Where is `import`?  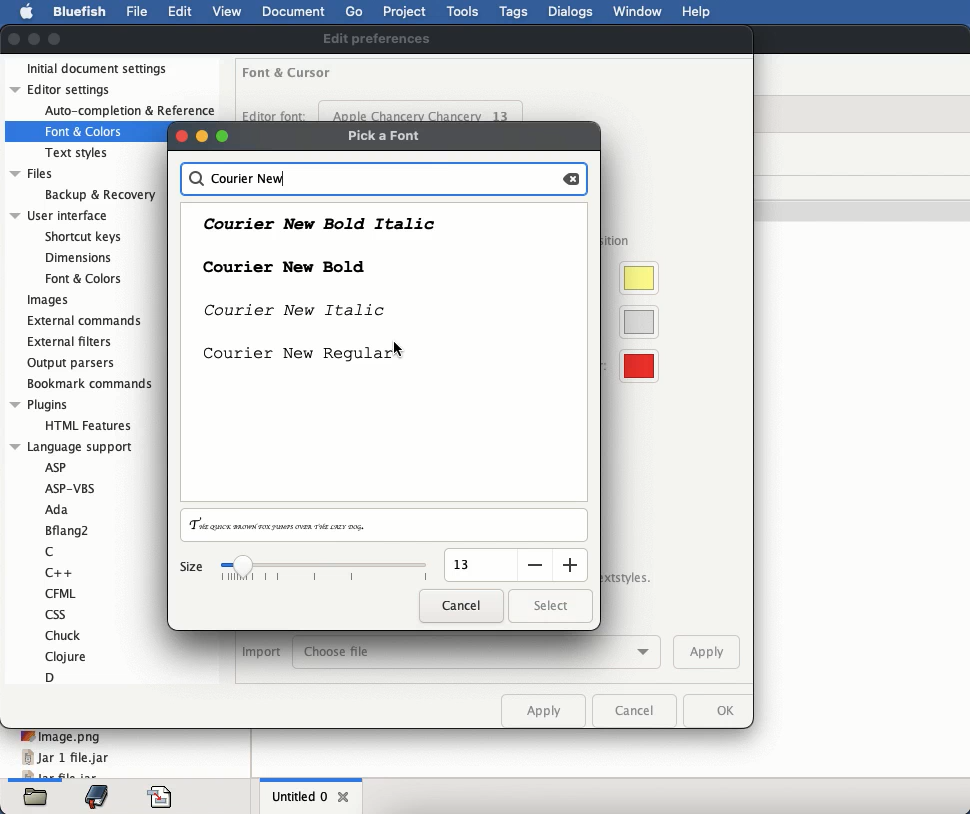
import is located at coordinates (262, 652).